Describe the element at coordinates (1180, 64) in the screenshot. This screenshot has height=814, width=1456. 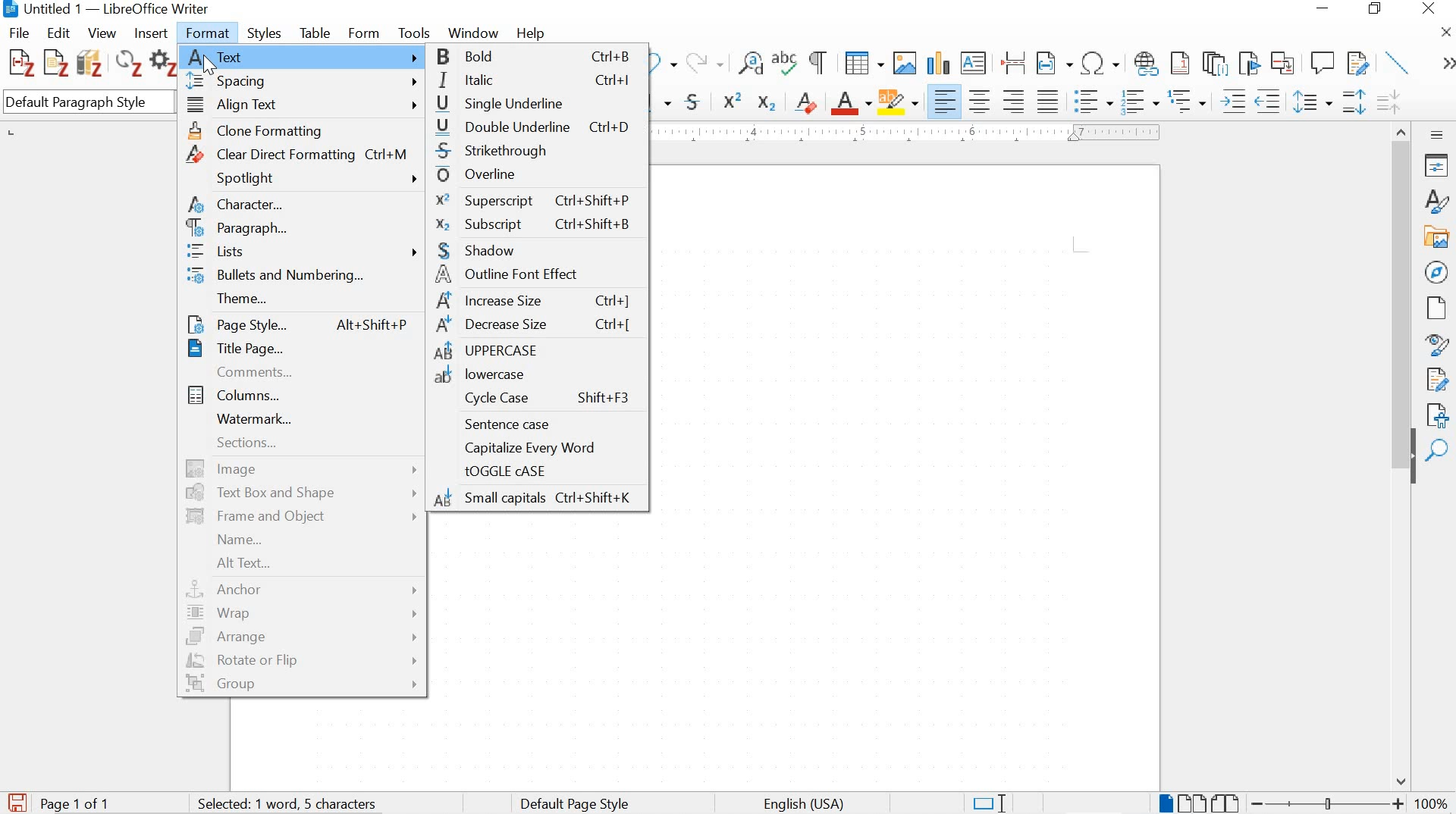
I see `insert endnote` at that location.